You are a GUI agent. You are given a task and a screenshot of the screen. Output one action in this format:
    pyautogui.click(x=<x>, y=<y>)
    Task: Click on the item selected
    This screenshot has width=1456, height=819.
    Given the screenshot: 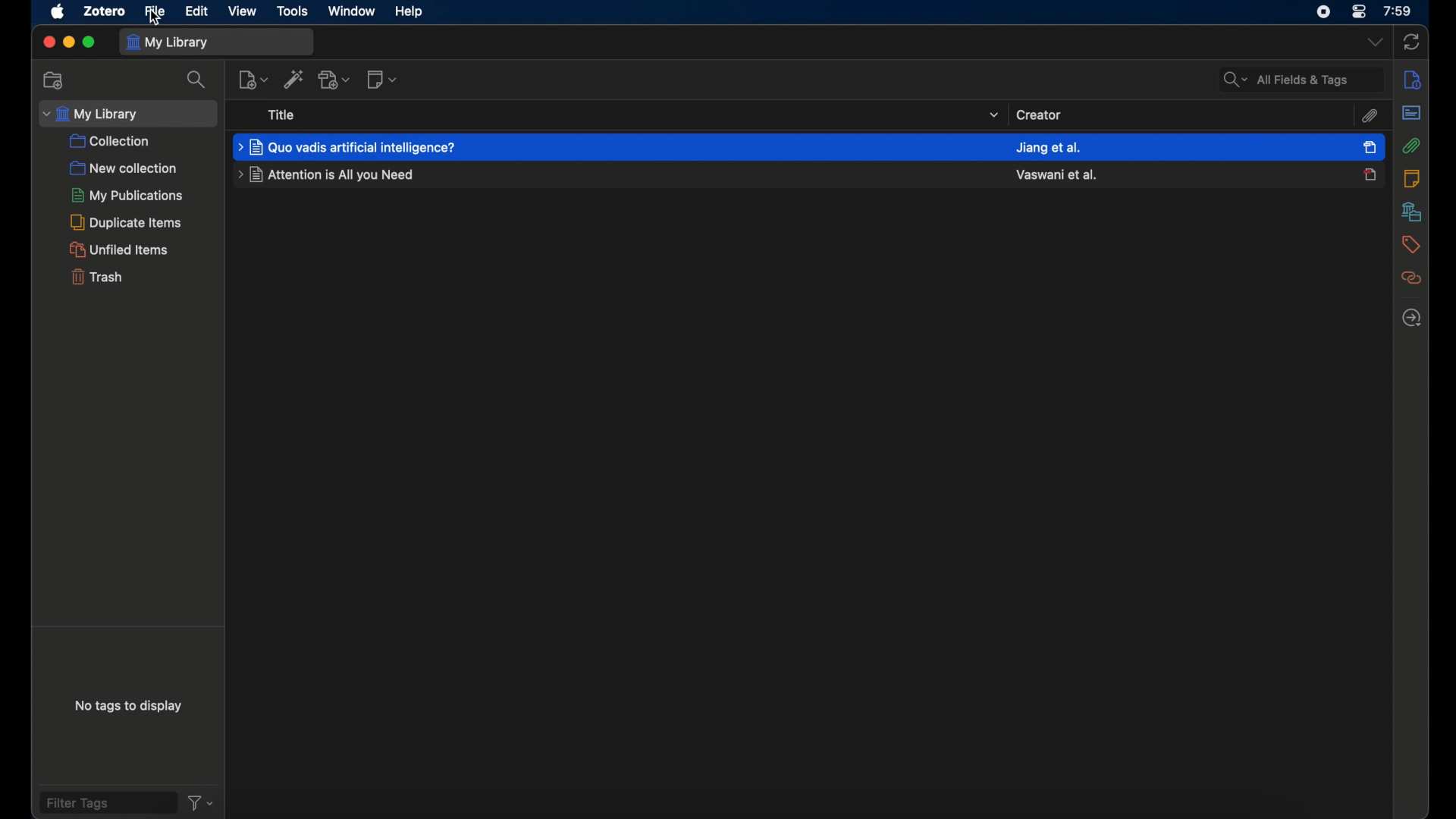 What is the action you would take?
    pyautogui.click(x=1370, y=146)
    